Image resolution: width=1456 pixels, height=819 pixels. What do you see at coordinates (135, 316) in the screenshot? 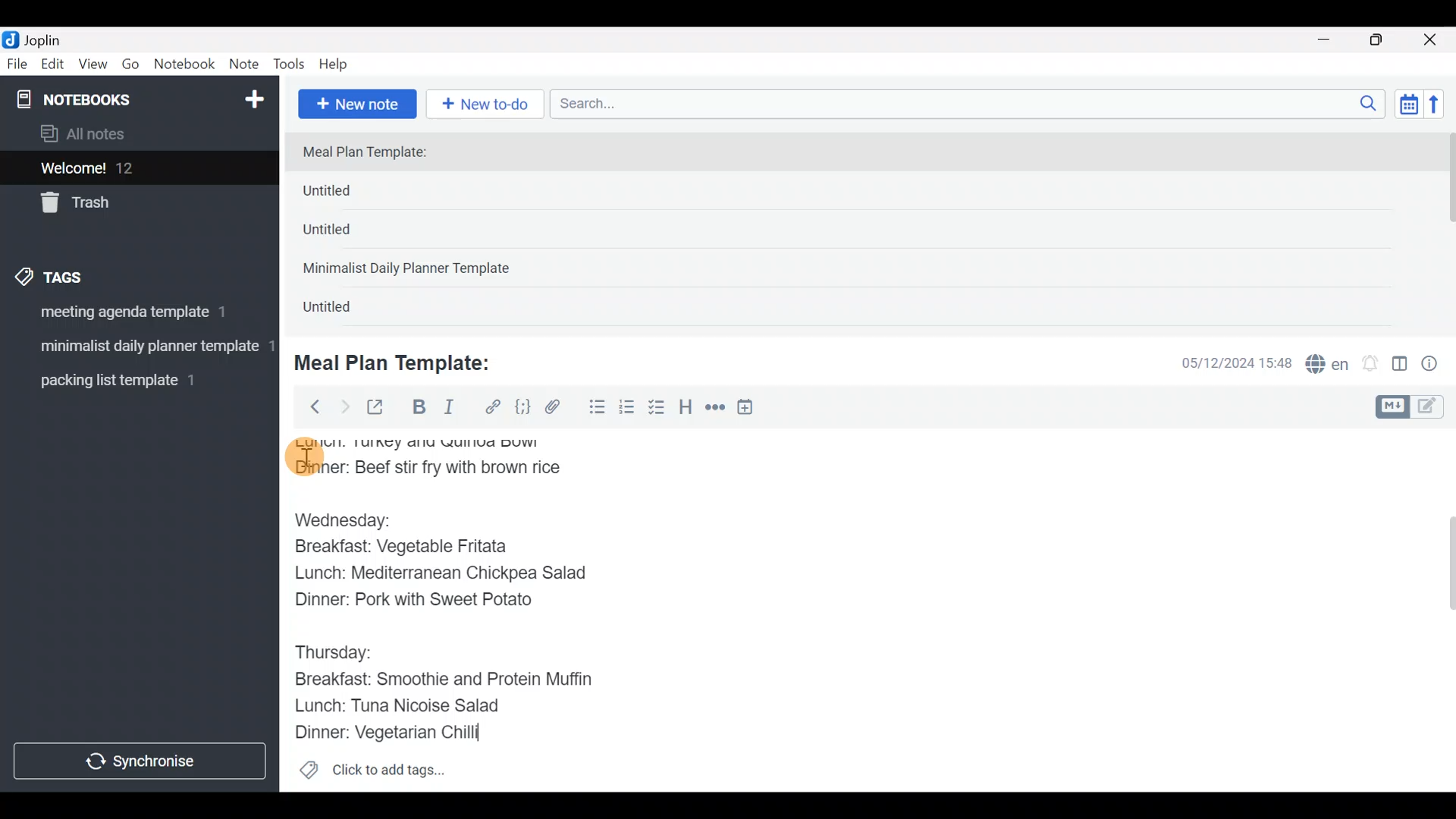
I see `Tag 1` at bounding box center [135, 316].